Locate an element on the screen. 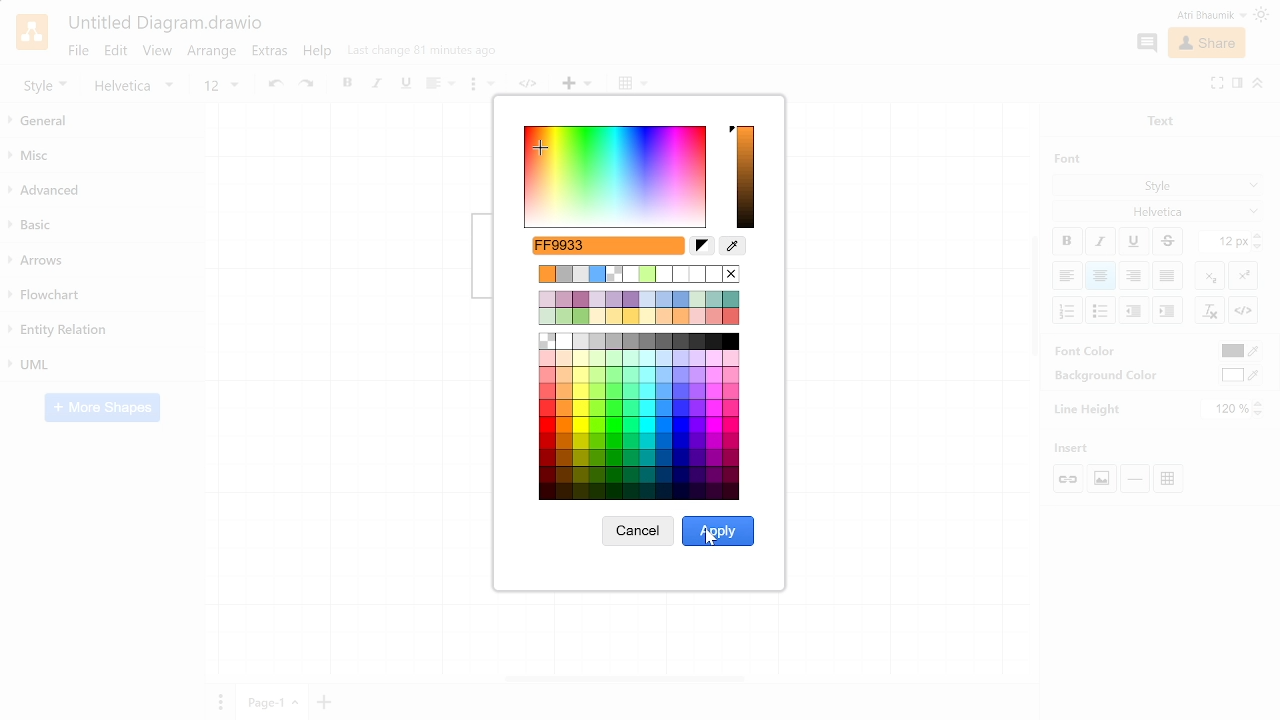 This screenshot has height=720, width=1280. line height is located at coordinates (1088, 408).